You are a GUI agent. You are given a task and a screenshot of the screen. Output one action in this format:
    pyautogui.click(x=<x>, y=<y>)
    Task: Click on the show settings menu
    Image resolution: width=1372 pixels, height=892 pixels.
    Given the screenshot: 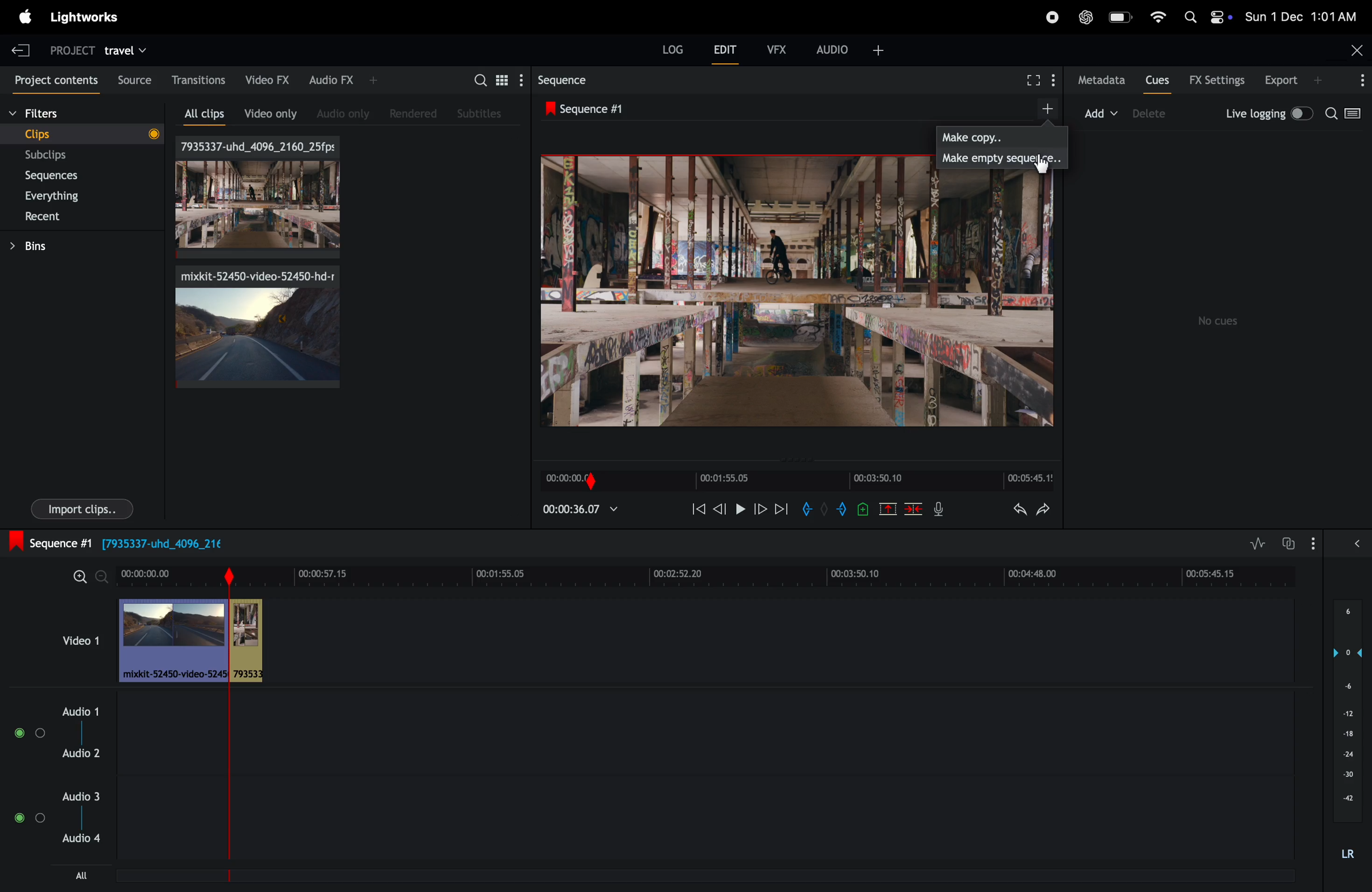 What is the action you would take?
    pyautogui.click(x=1316, y=543)
    